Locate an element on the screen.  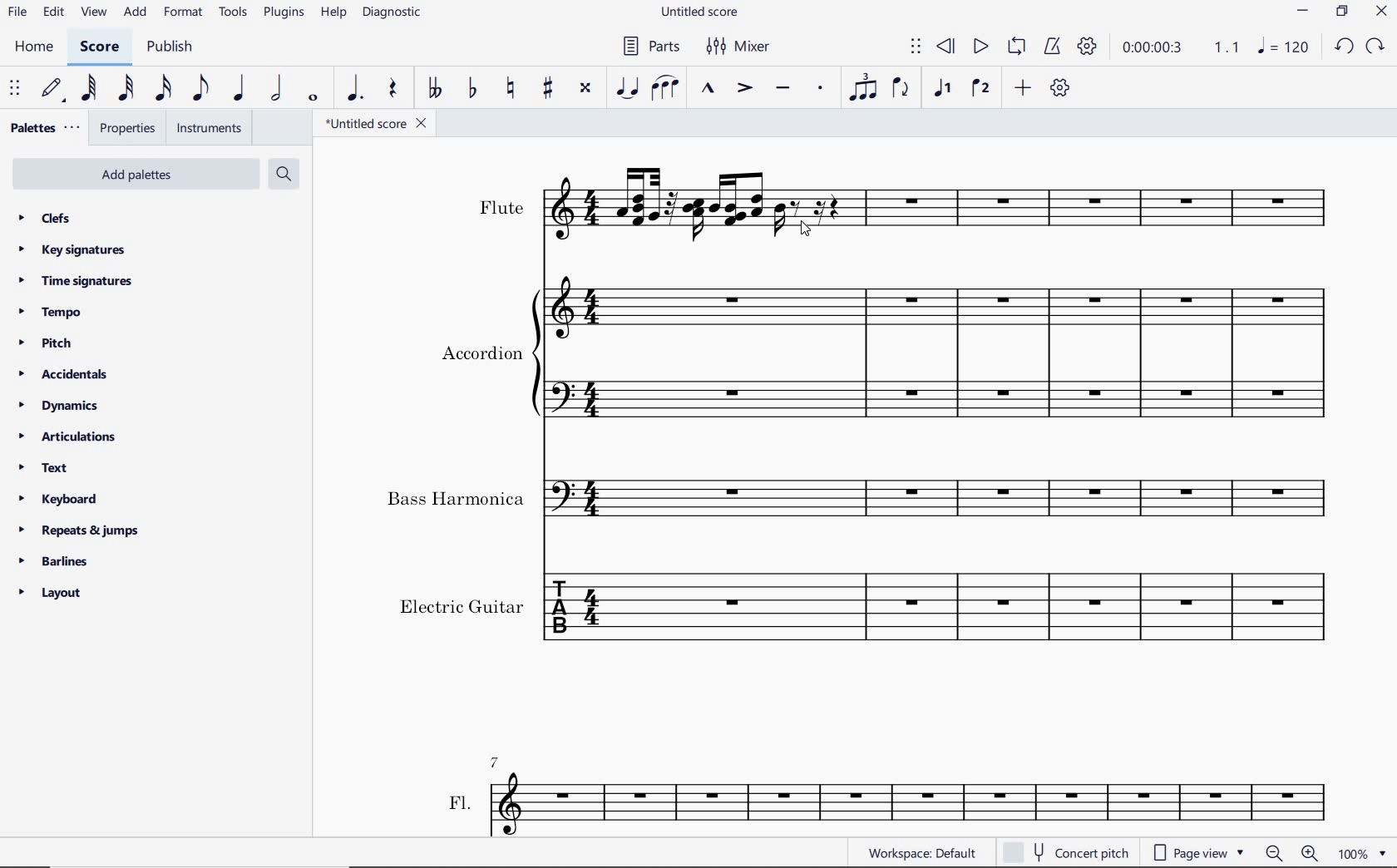
view is located at coordinates (94, 13).